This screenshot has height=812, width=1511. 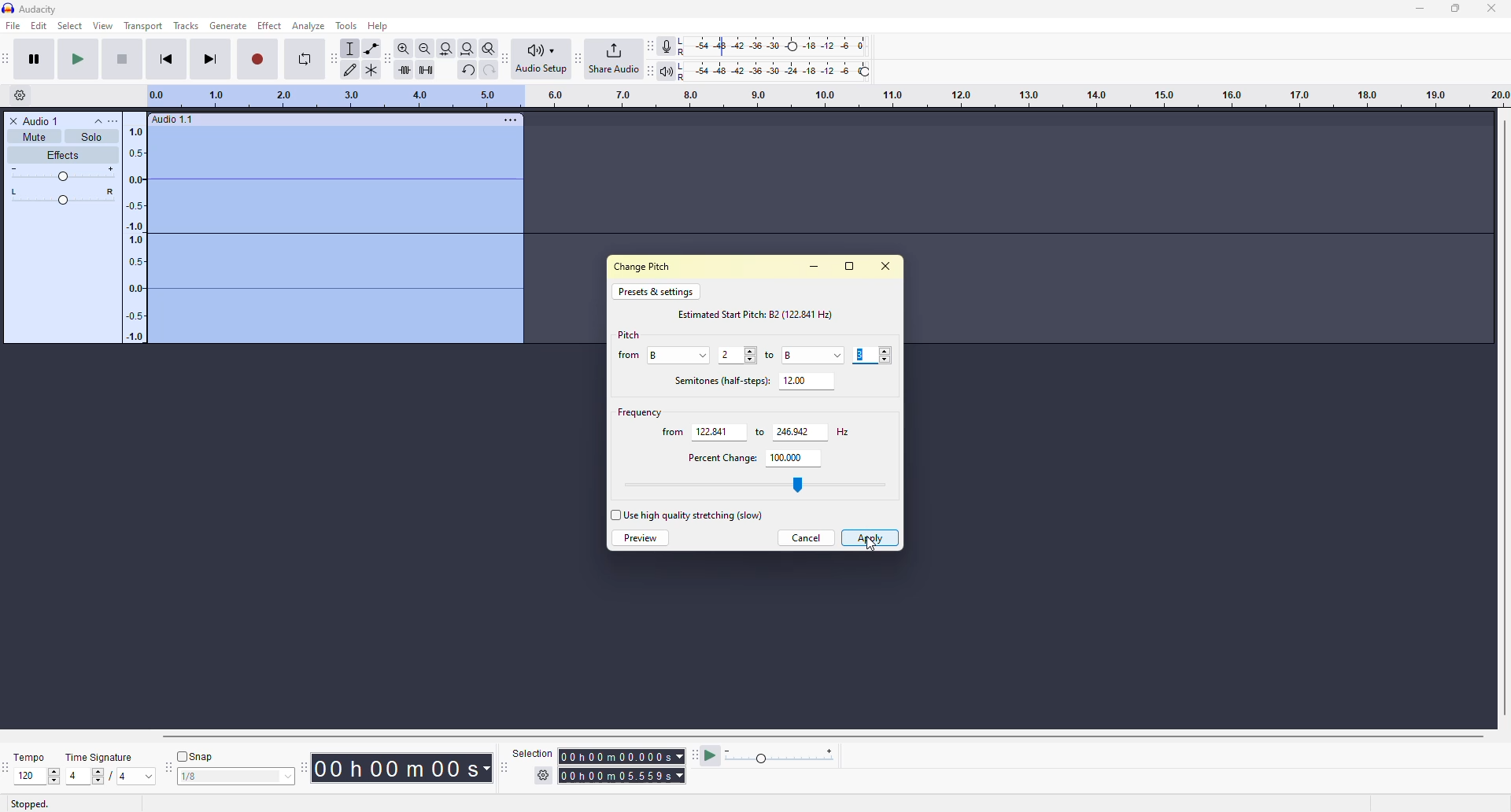 What do you see at coordinates (37, 120) in the screenshot?
I see `audio 1` at bounding box center [37, 120].